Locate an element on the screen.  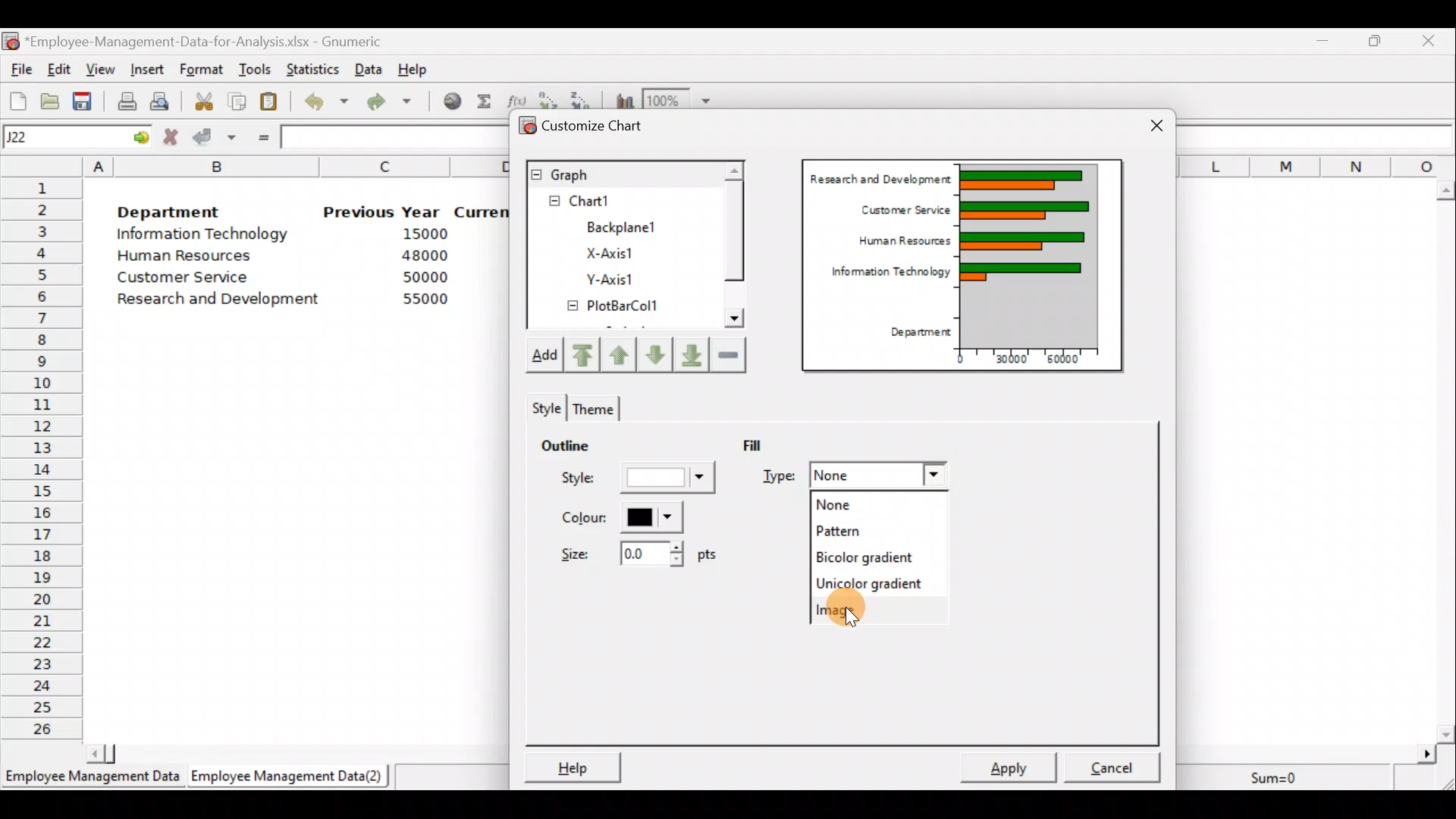
Style is located at coordinates (633, 481).